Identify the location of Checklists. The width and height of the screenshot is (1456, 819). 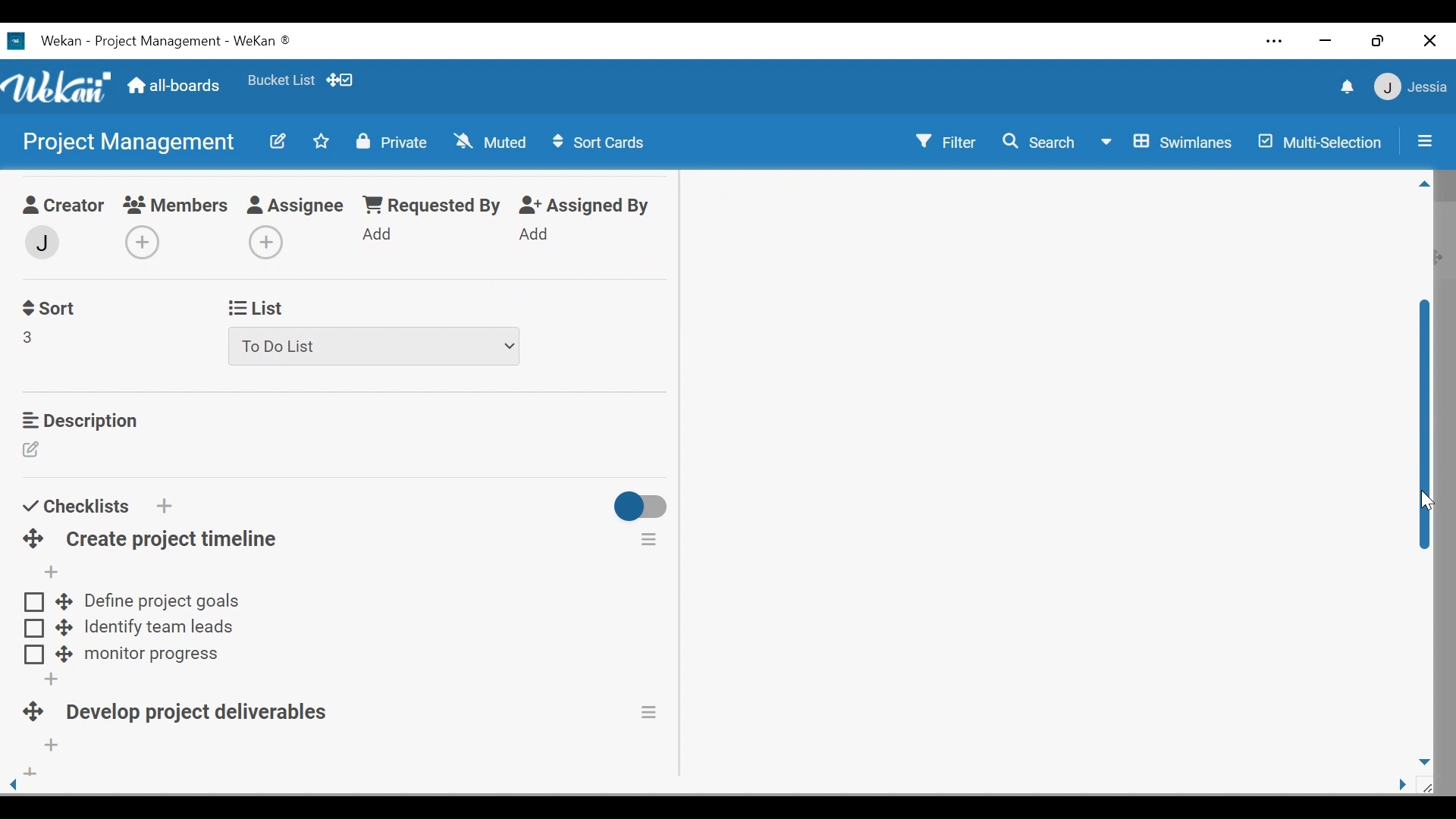
(75, 506).